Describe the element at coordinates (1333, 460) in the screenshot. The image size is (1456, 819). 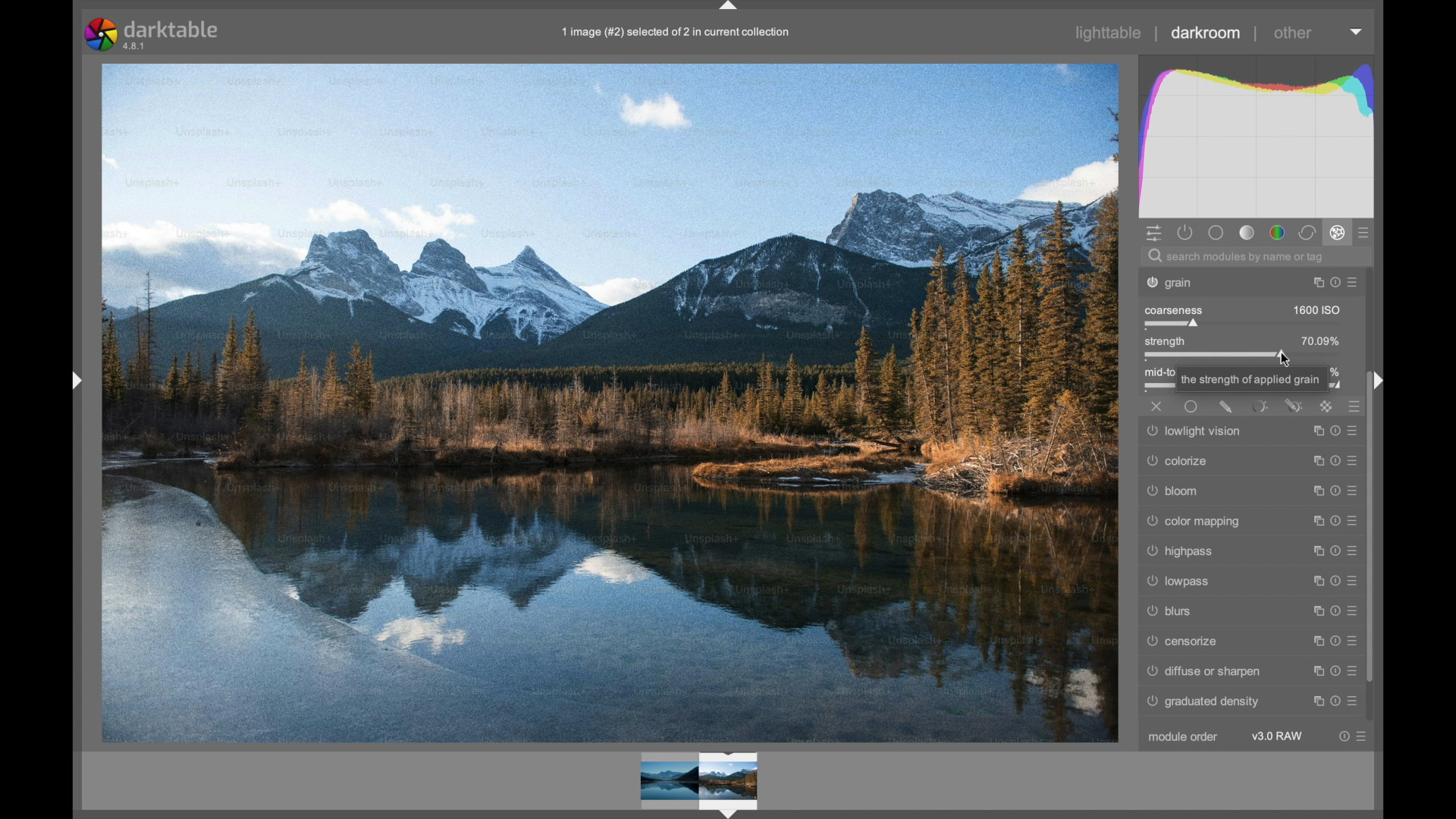
I see `reset parameters` at that location.